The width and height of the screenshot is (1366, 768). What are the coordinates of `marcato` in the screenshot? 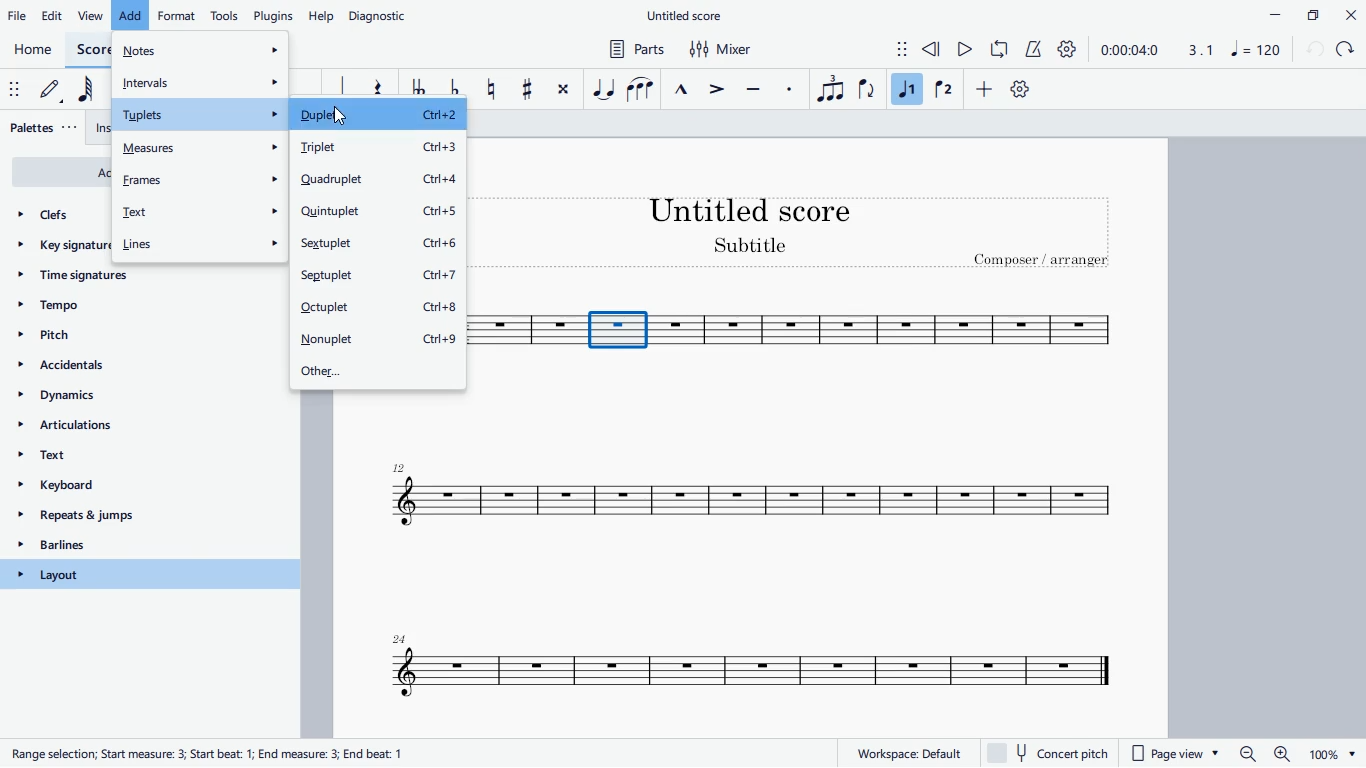 It's located at (685, 87).